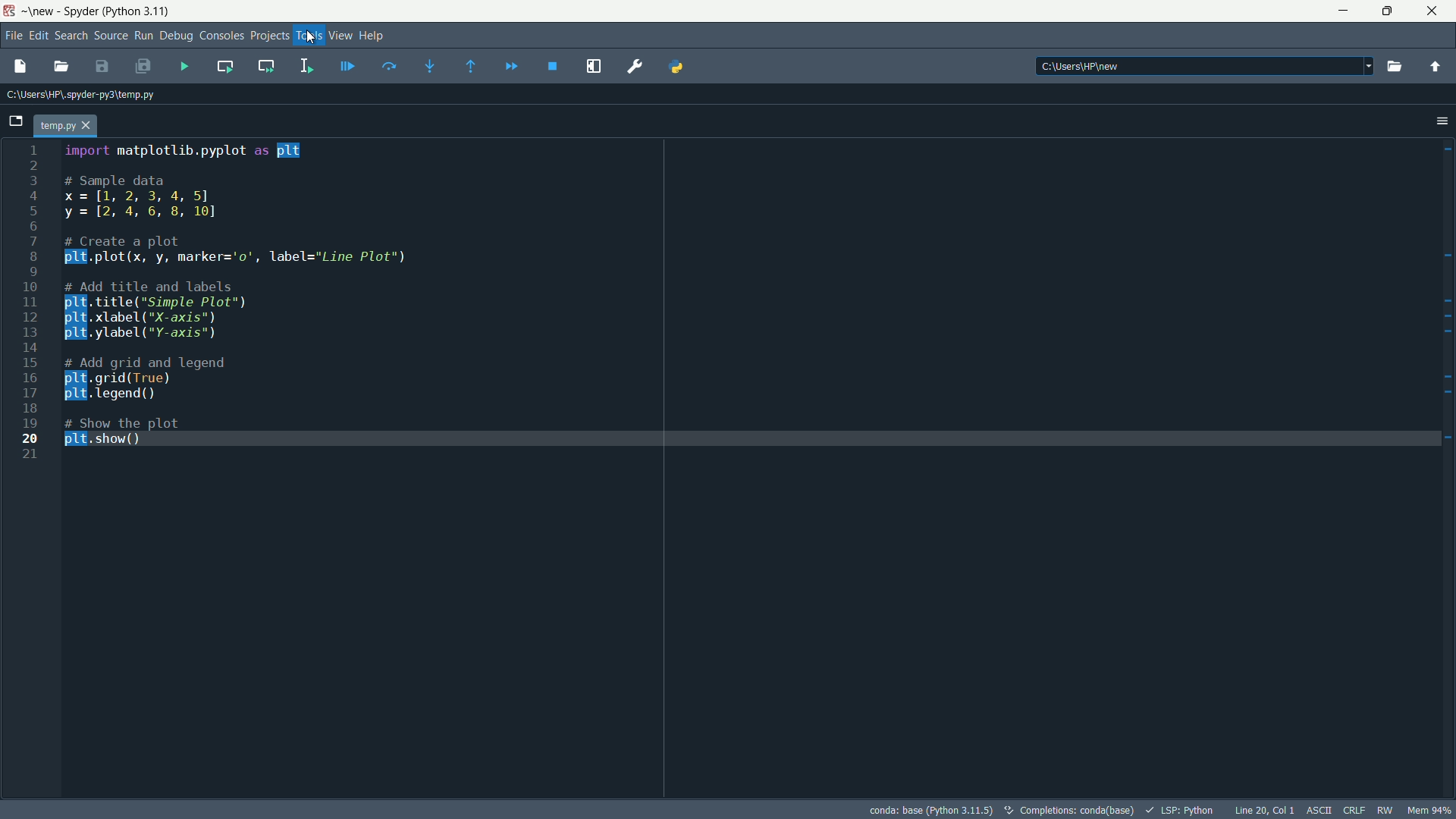 This screenshot has height=819, width=1456. I want to click on text, so click(1071, 811).